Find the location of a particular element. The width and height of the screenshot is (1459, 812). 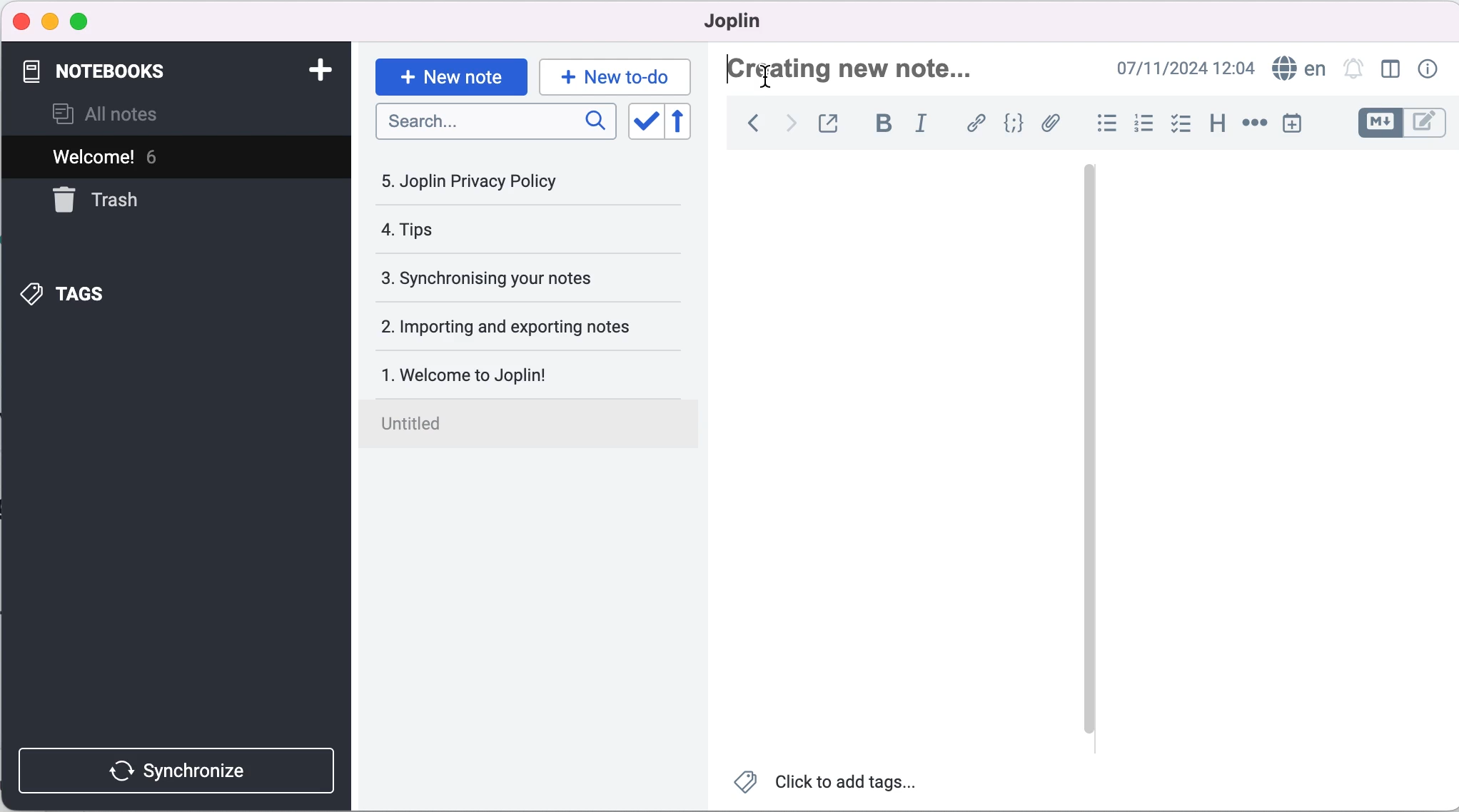

add notebook is located at coordinates (324, 70).